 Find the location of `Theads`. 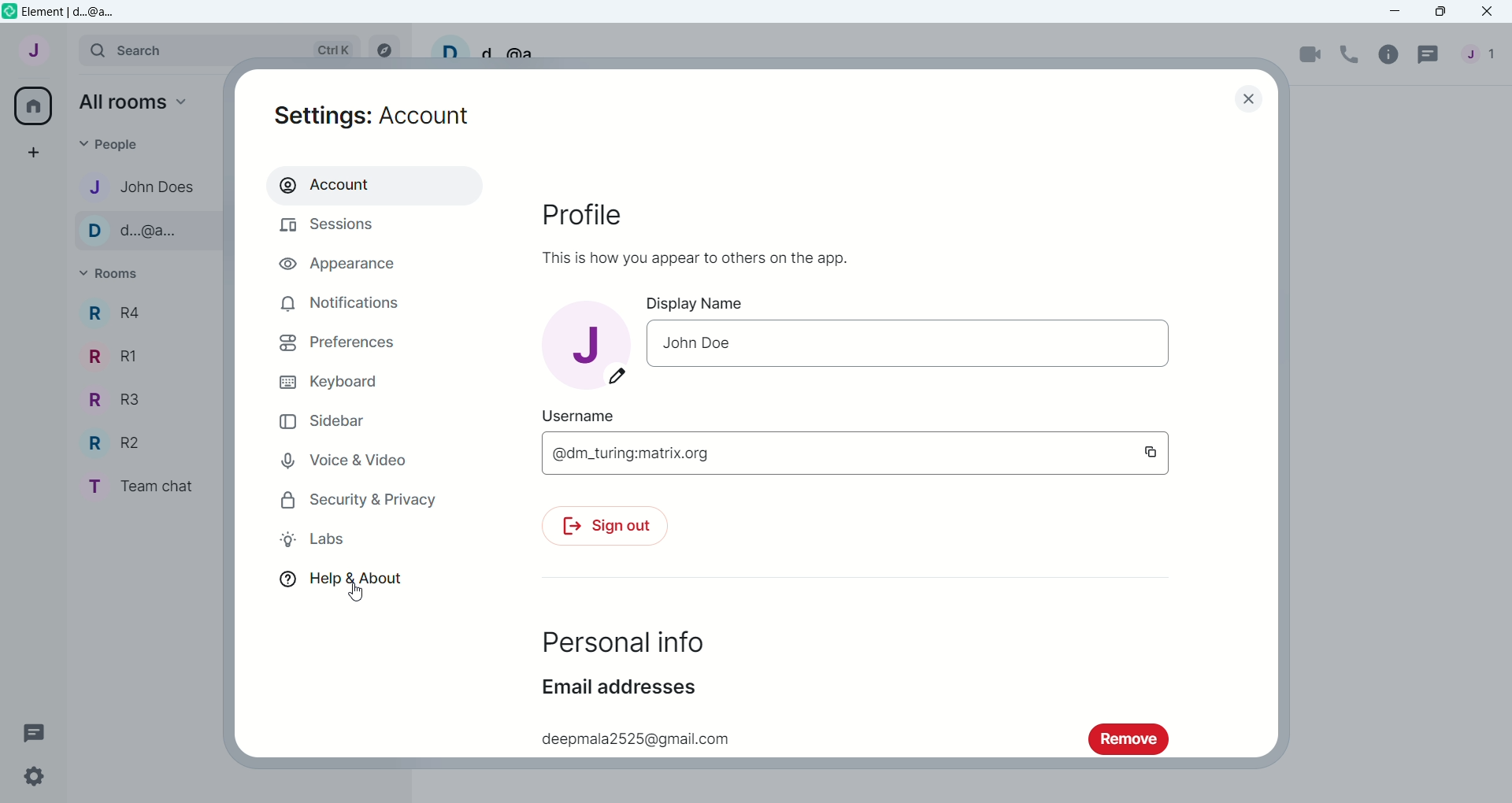

Theads is located at coordinates (35, 731).